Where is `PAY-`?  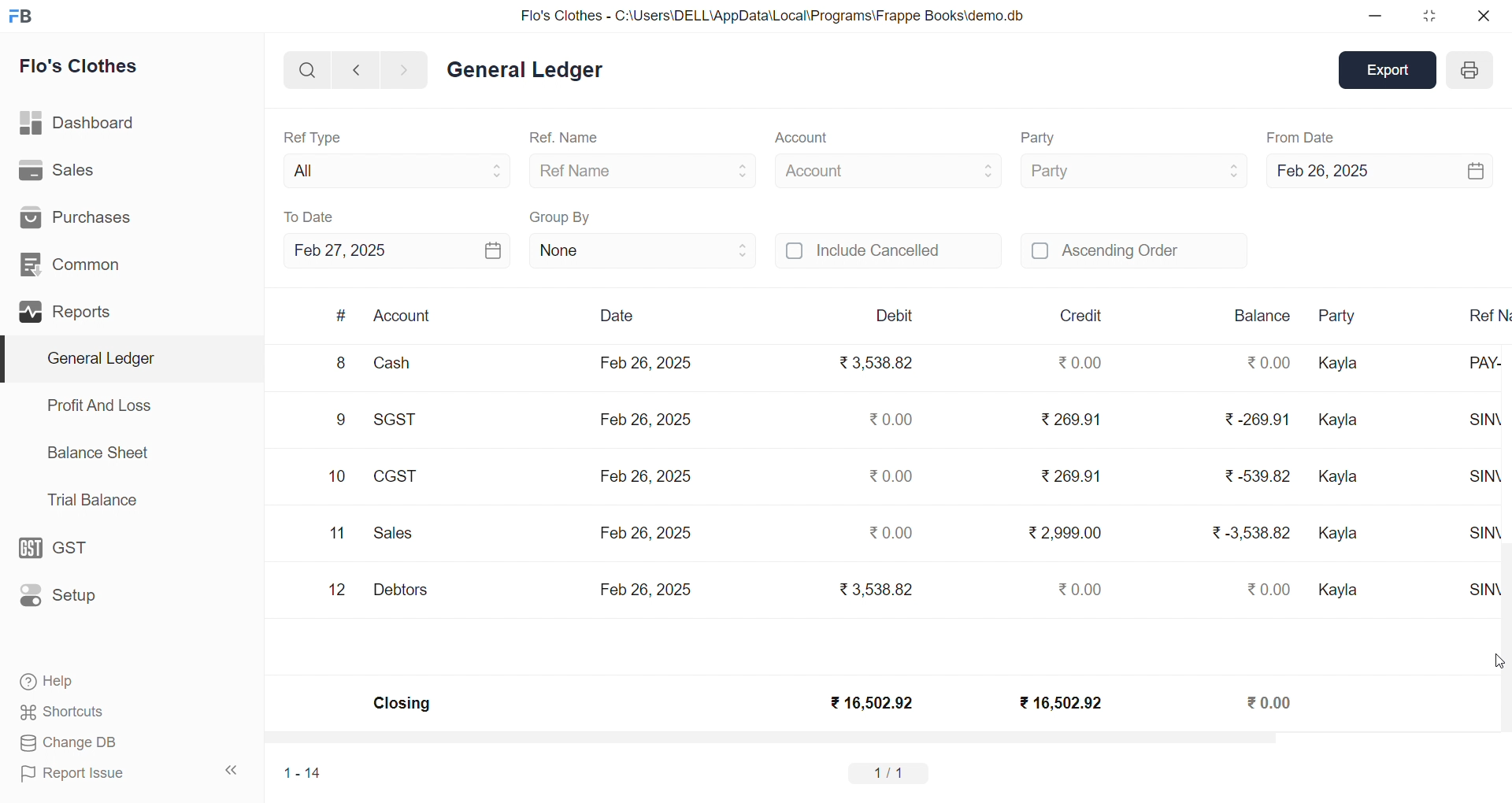
PAY- is located at coordinates (1490, 370).